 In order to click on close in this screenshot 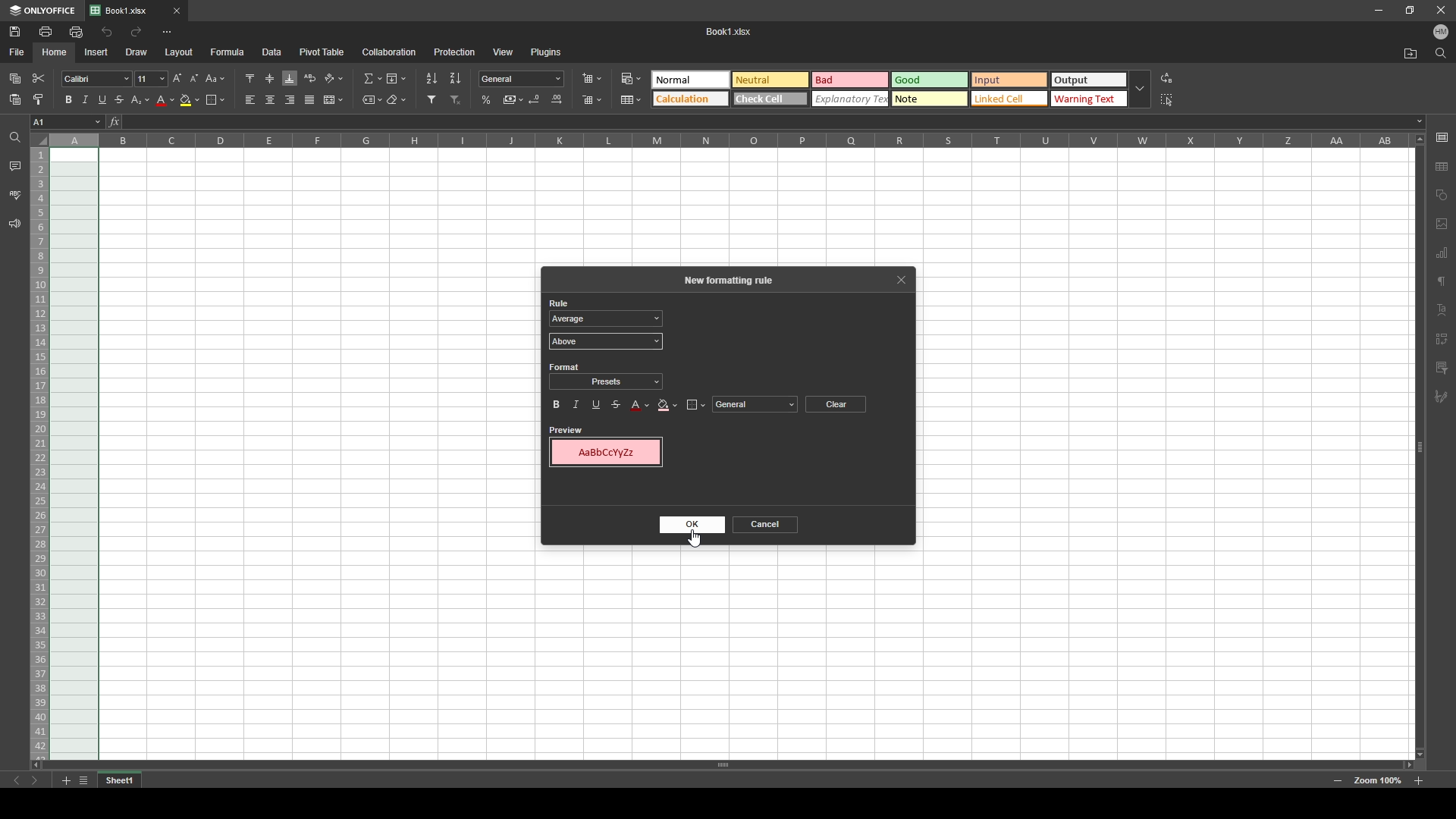, I will do `click(900, 281)`.